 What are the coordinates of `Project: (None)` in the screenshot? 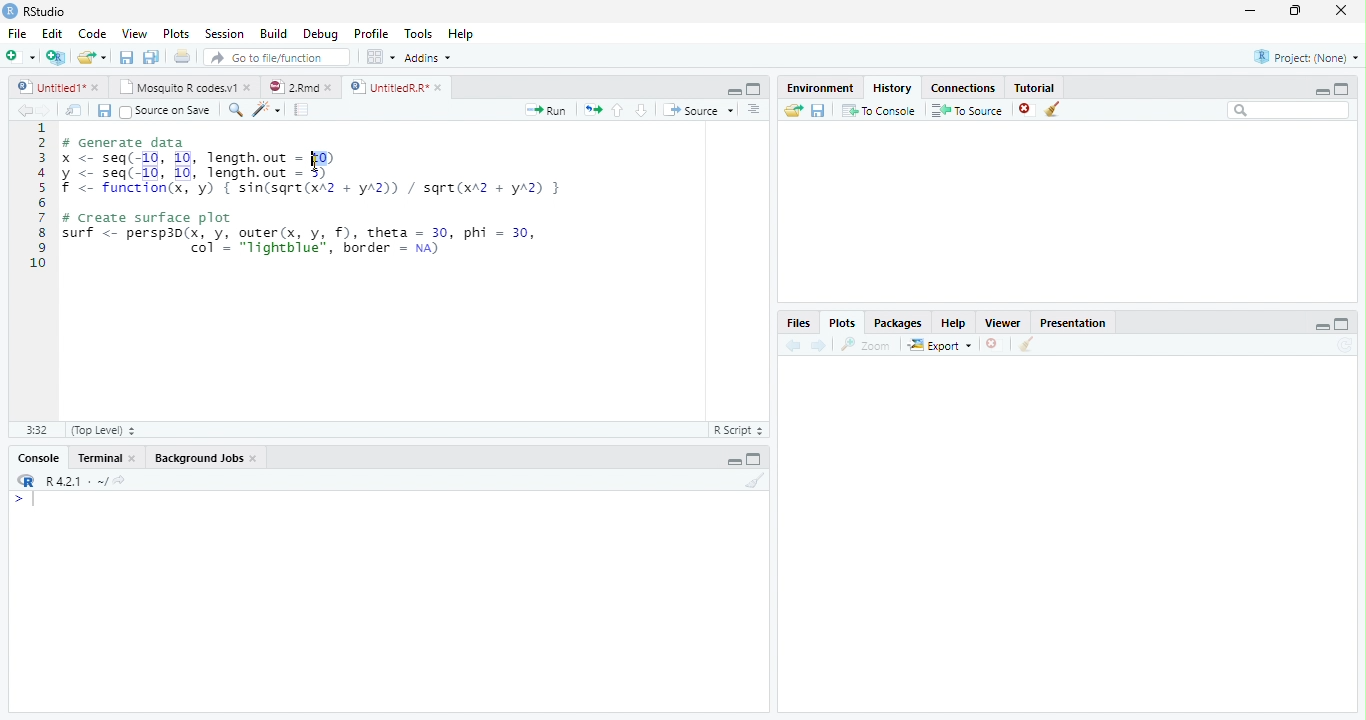 It's located at (1306, 57).